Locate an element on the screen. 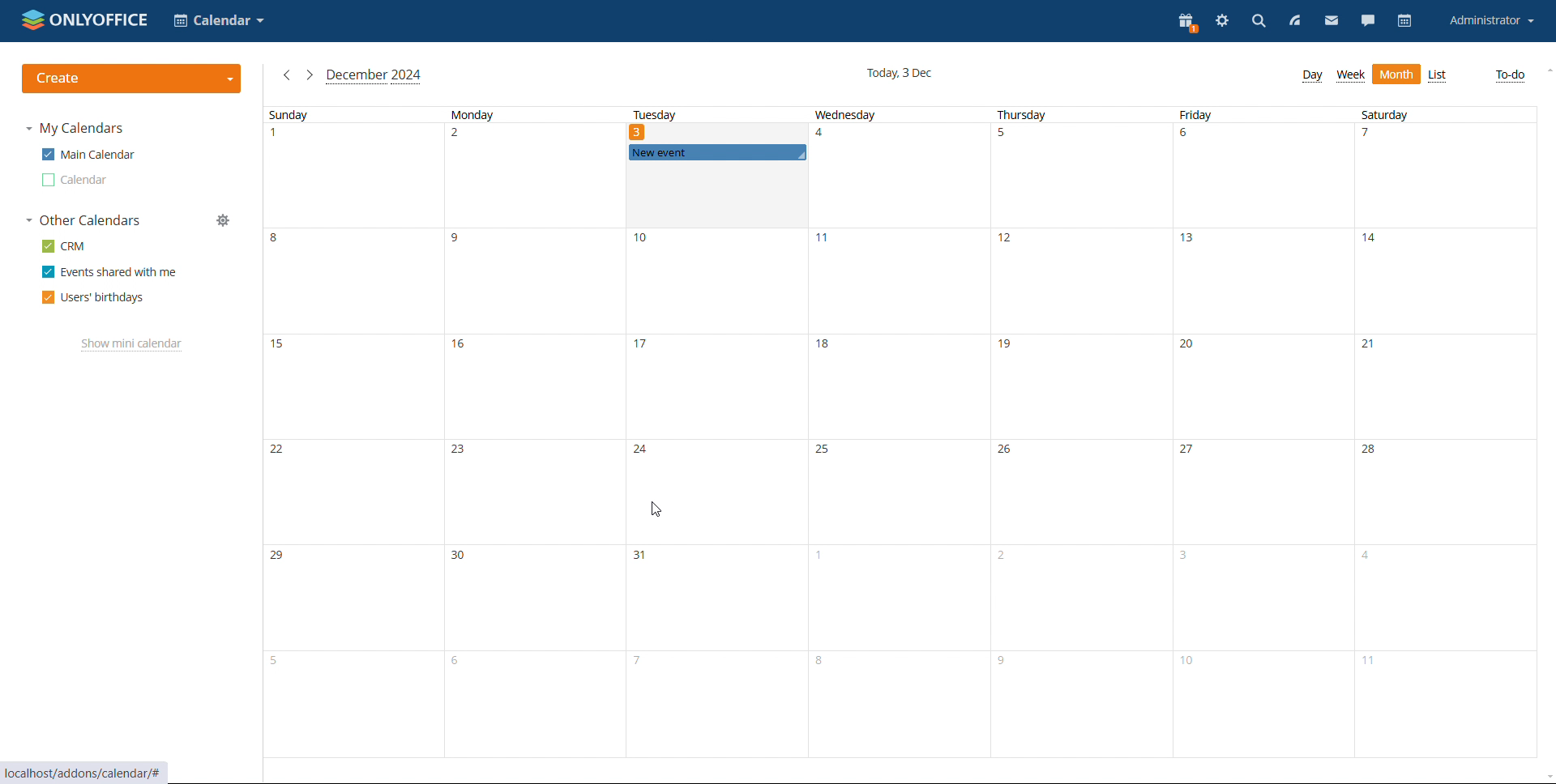  date is located at coordinates (1443, 175).